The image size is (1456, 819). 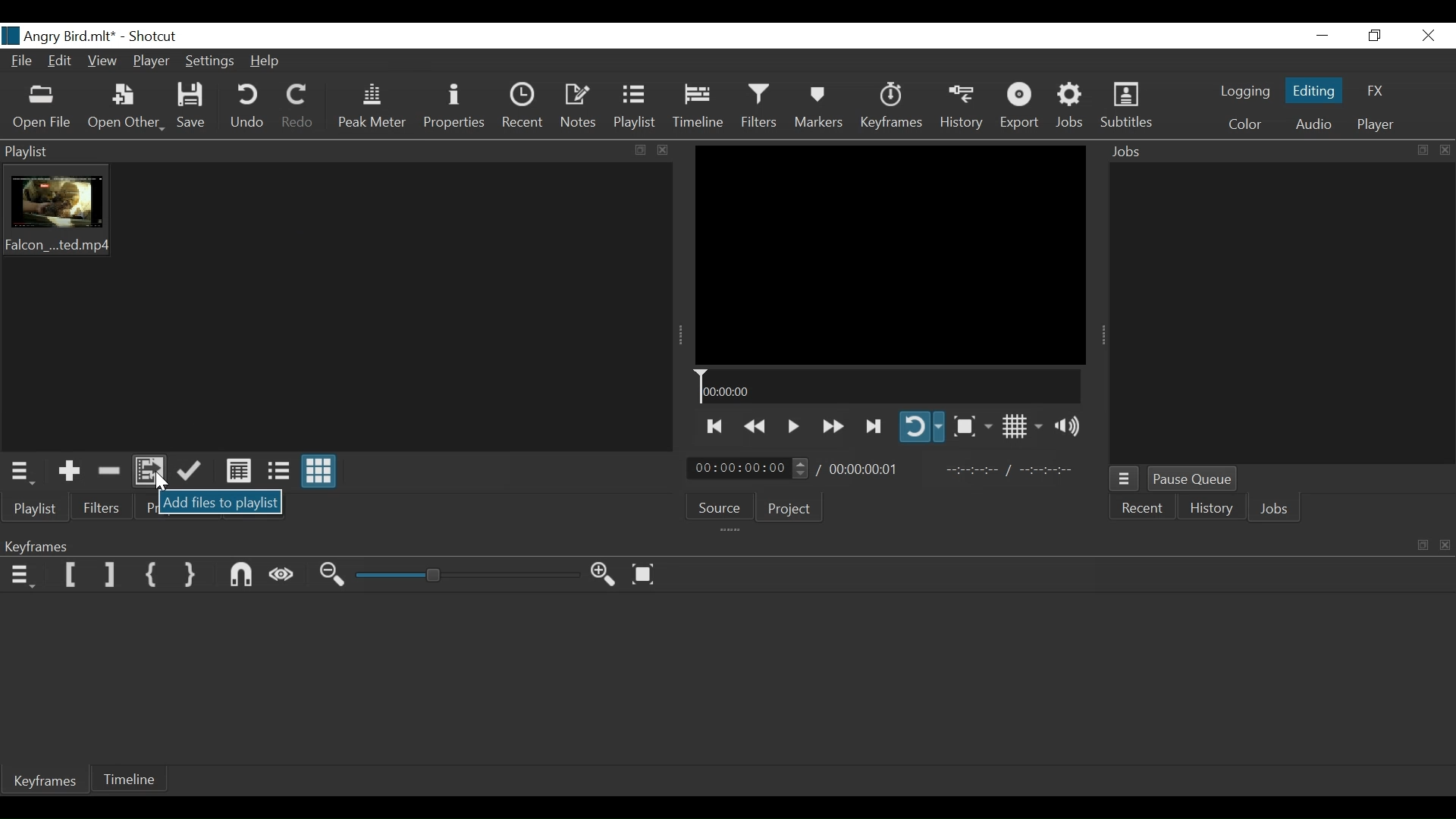 What do you see at coordinates (893, 106) in the screenshot?
I see `Keyframes` at bounding box center [893, 106].